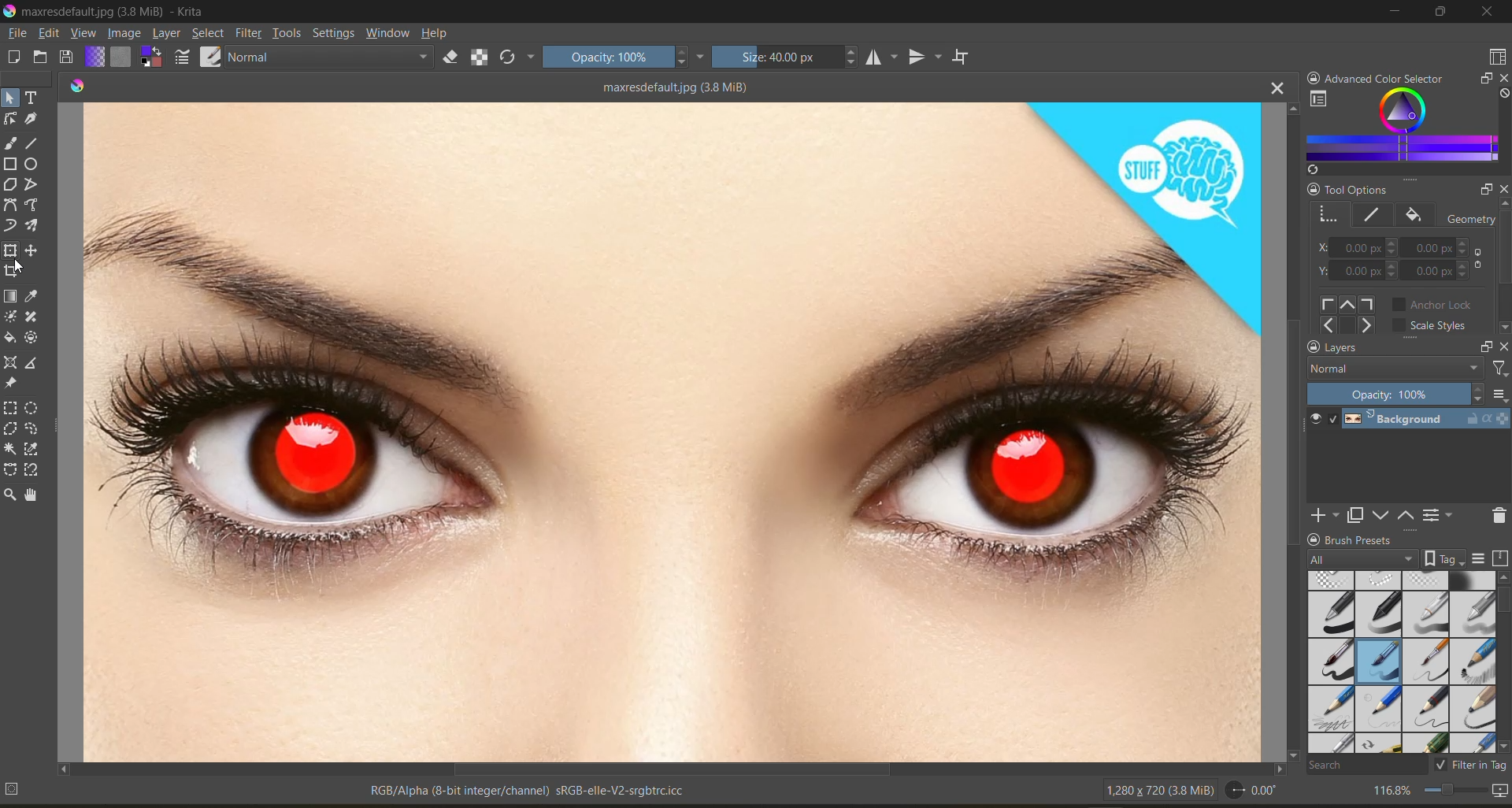 The width and height of the screenshot is (1512, 808). Describe the element at coordinates (927, 55) in the screenshot. I see `vertical  mirror tool` at that location.